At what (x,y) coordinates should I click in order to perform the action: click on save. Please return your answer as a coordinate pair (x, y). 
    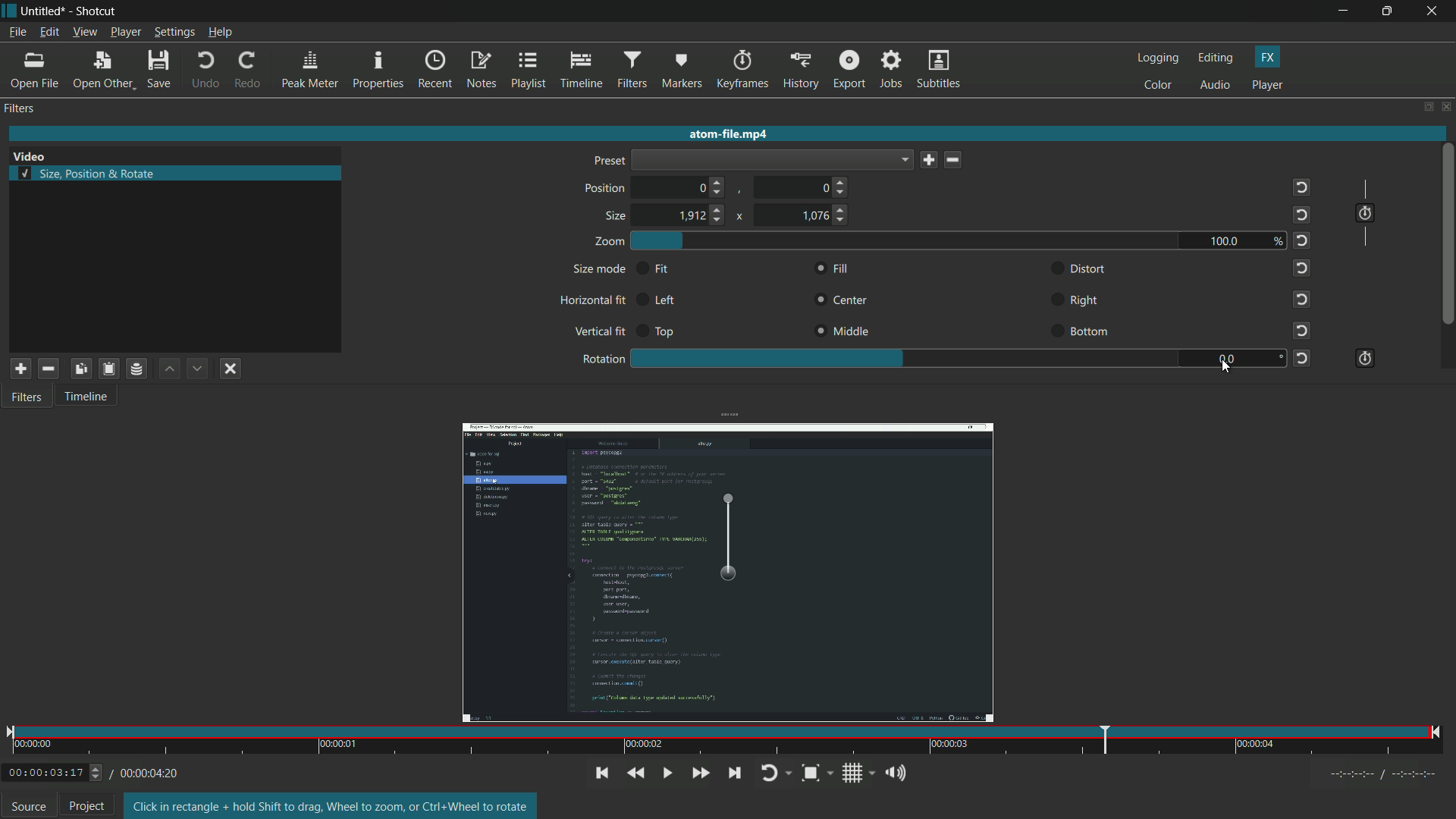
    Looking at the image, I should click on (929, 161).